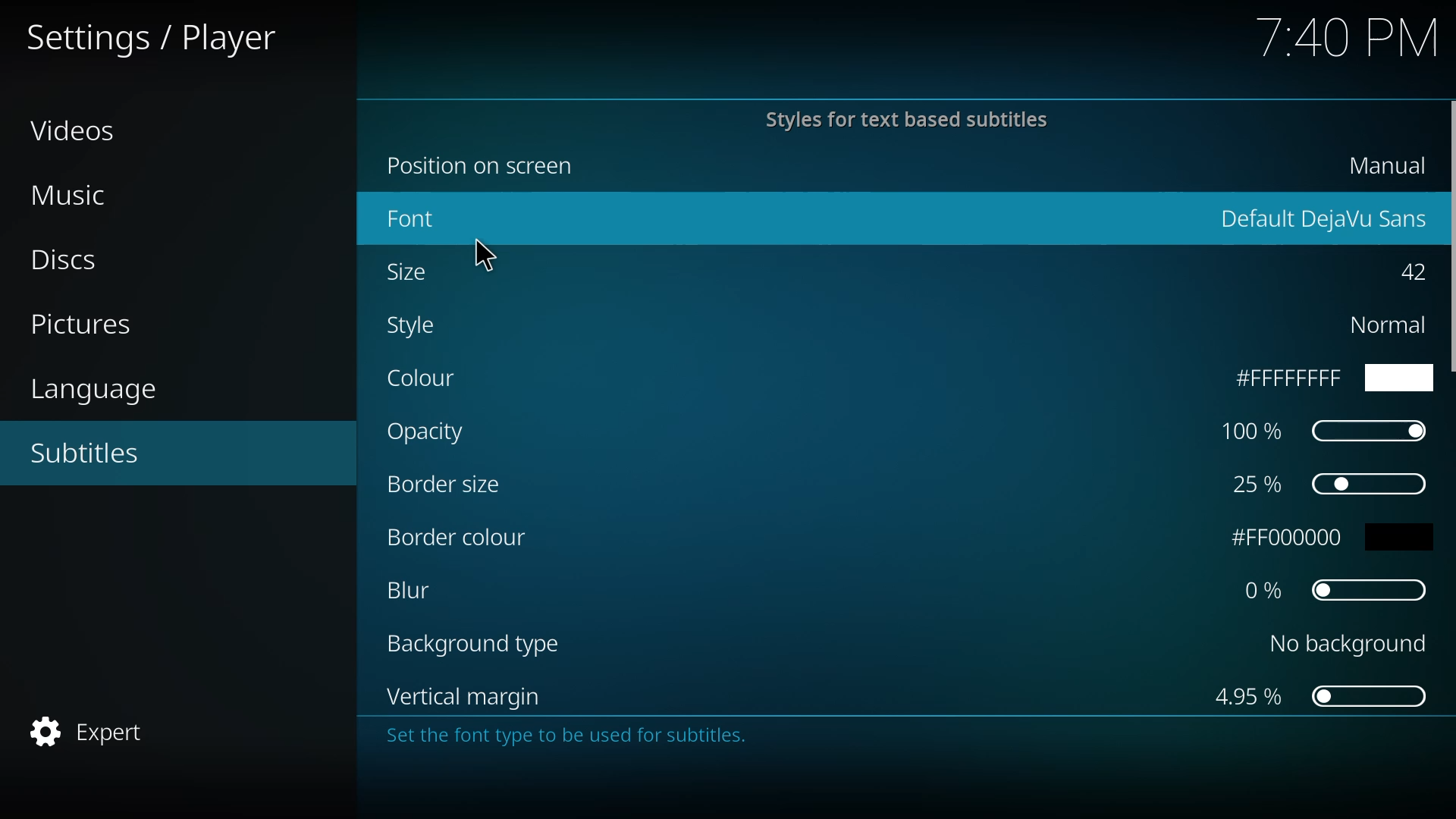 Image resolution: width=1456 pixels, height=819 pixels. Describe the element at coordinates (416, 589) in the screenshot. I see `blur` at that location.